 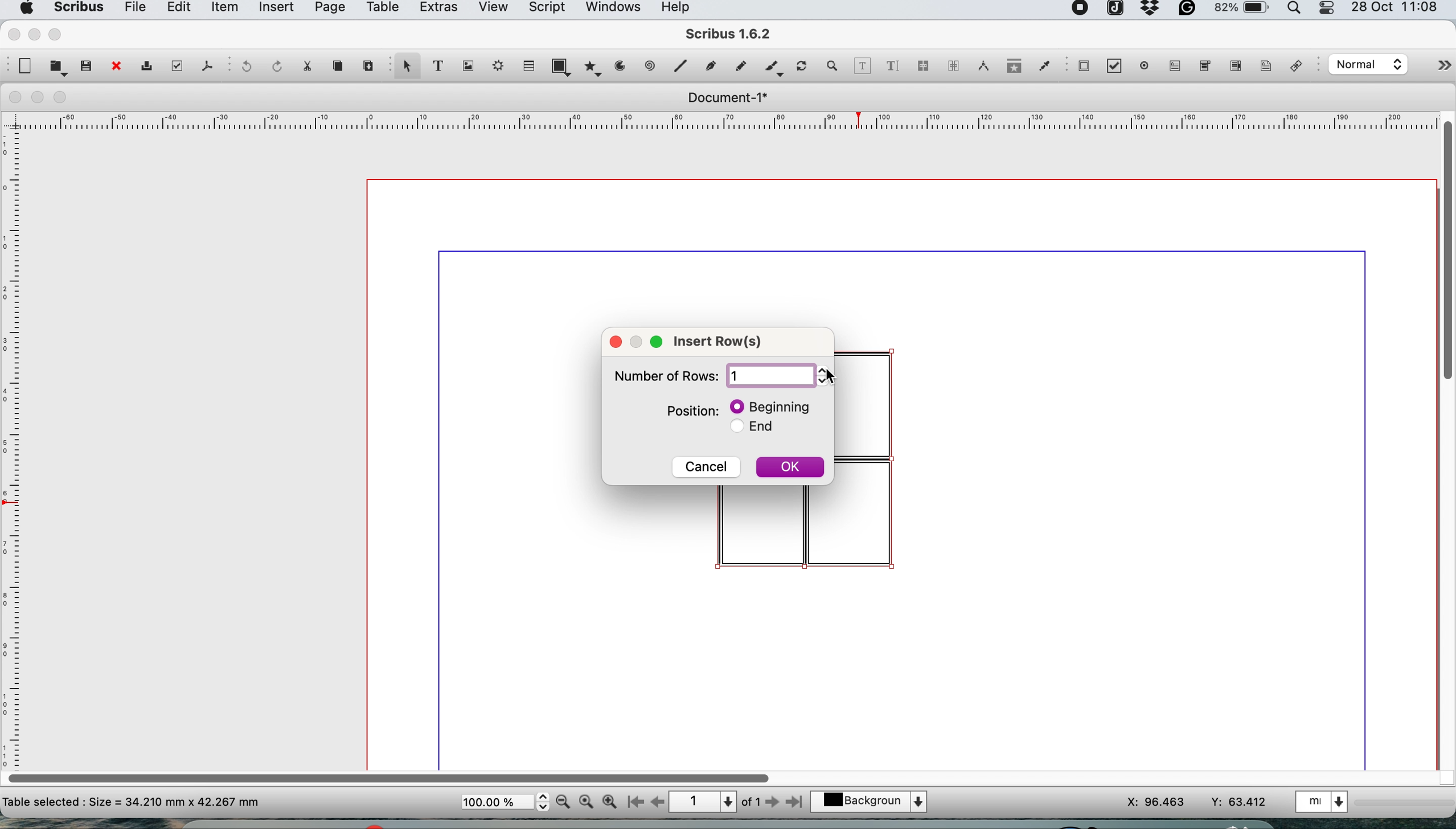 I want to click on link annotation, so click(x=1299, y=67).